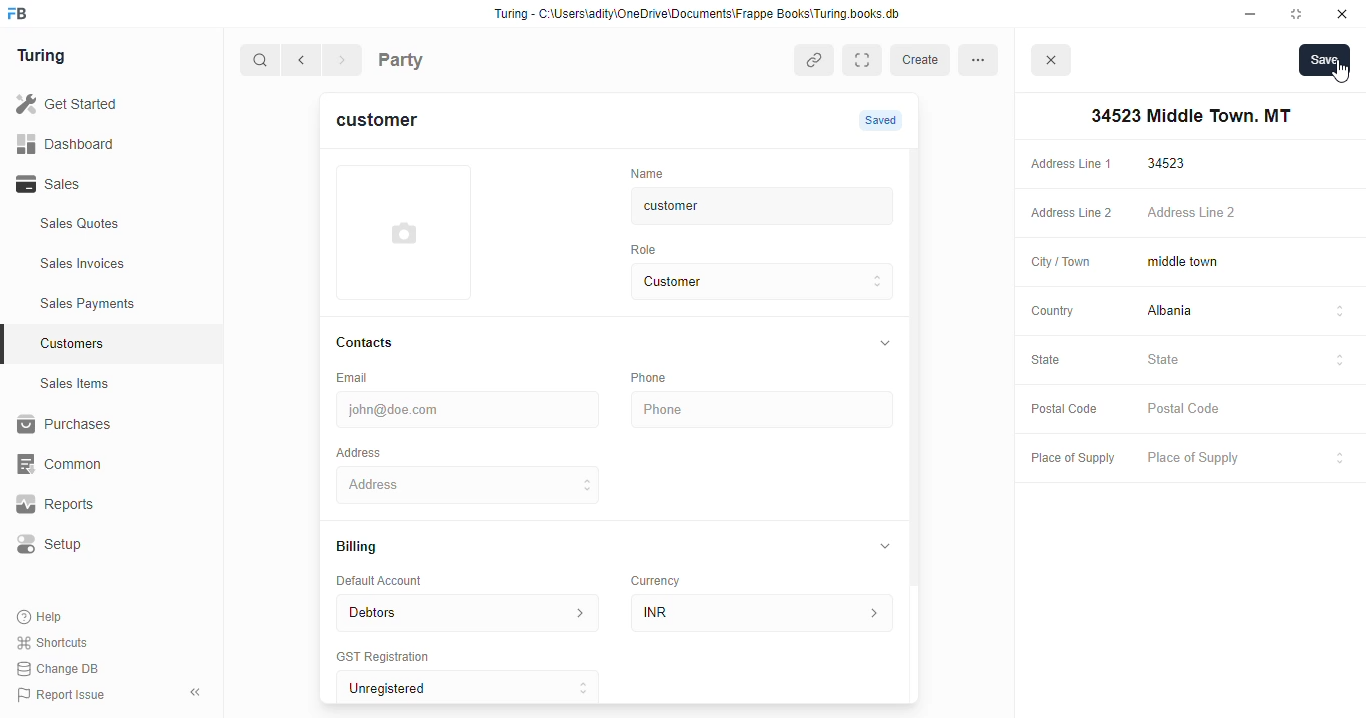  Describe the element at coordinates (65, 693) in the screenshot. I see `Report Issue` at that location.